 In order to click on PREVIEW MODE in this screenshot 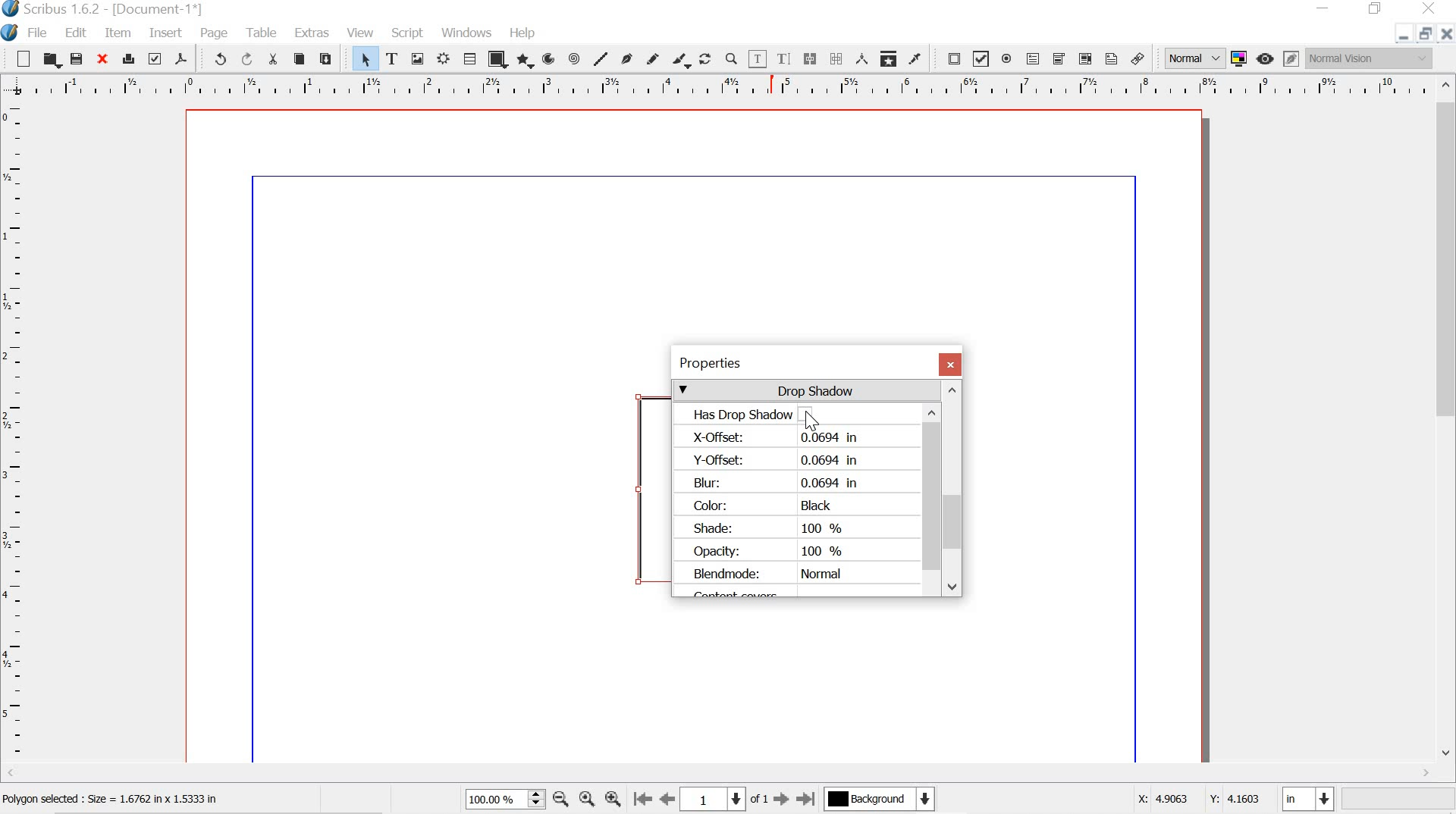, I will do `click(1266, 58)`.